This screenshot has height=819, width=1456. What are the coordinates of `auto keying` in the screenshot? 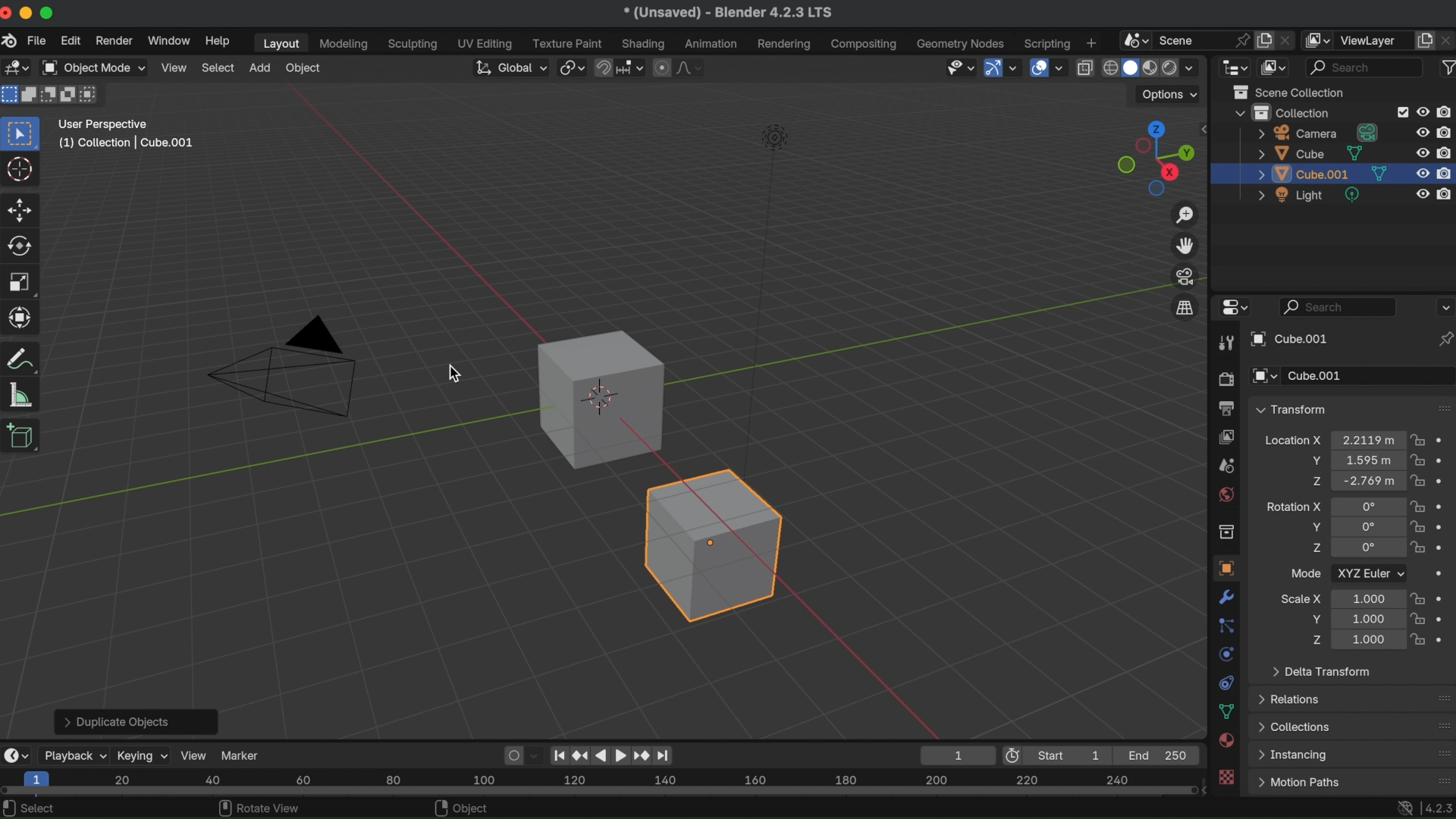 It's located at (511, 754).